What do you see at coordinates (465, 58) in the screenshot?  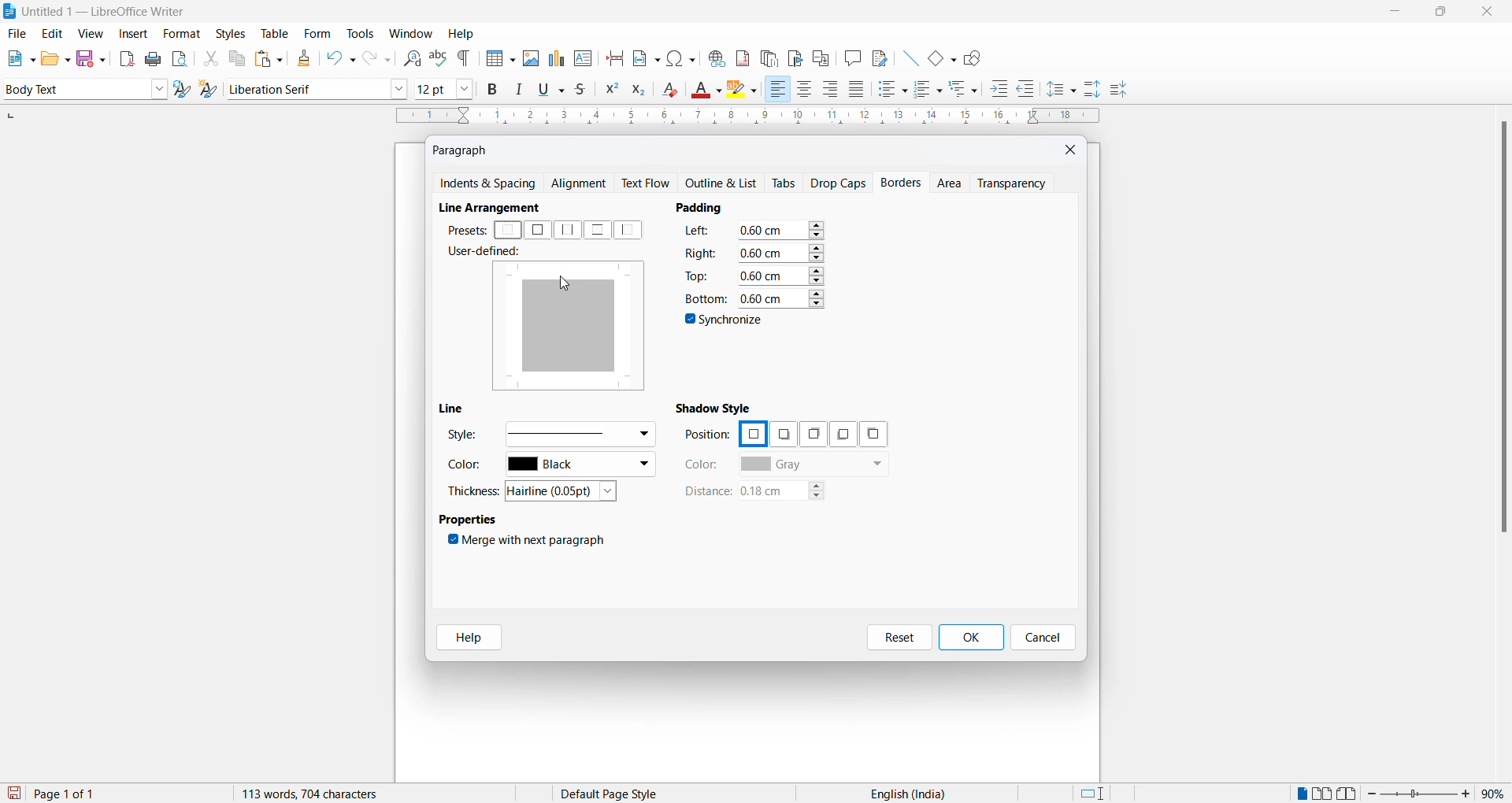 I see `toggle formatting marks` at bounding box center [465, 58].